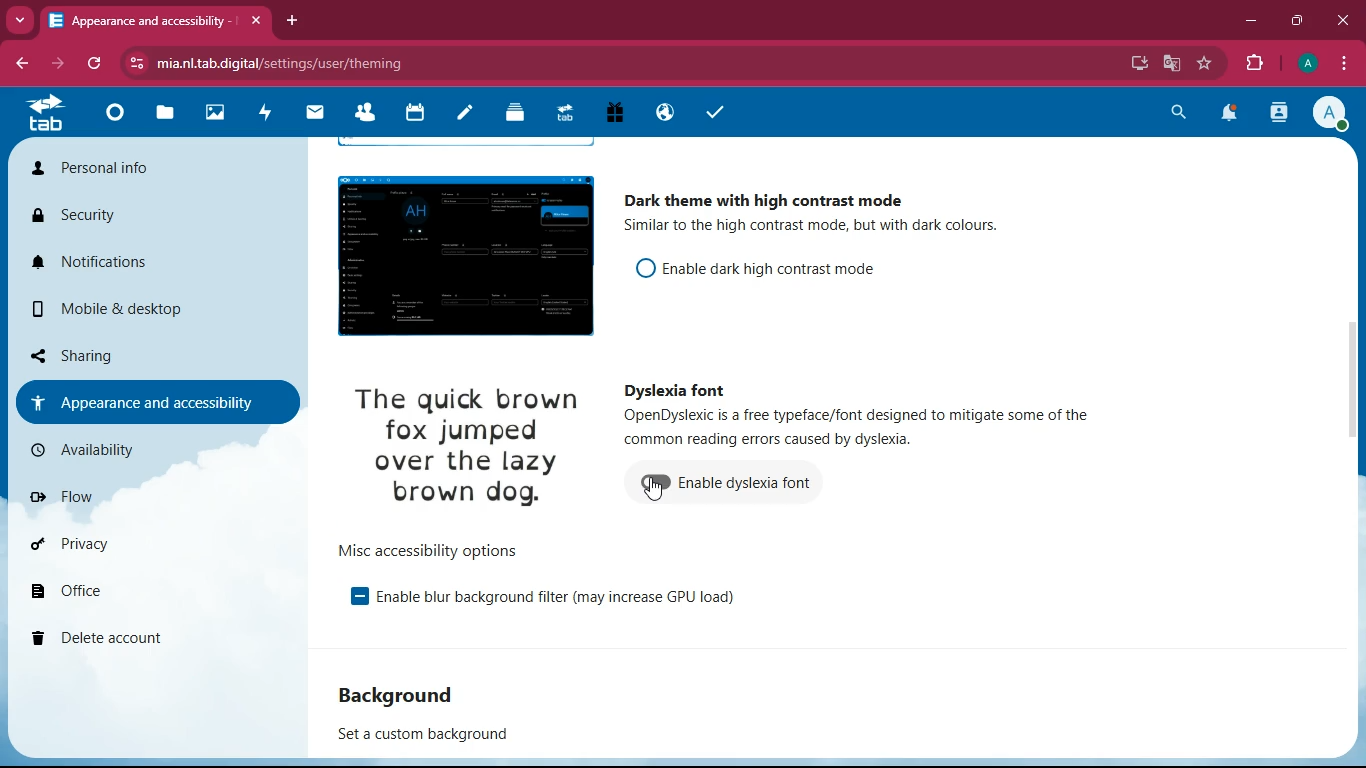 Image resolution: width=1366 pixels, height=768 pixels. Describe the element at coordinates (354, 596) in the screenshot. I see `enable` at that location.